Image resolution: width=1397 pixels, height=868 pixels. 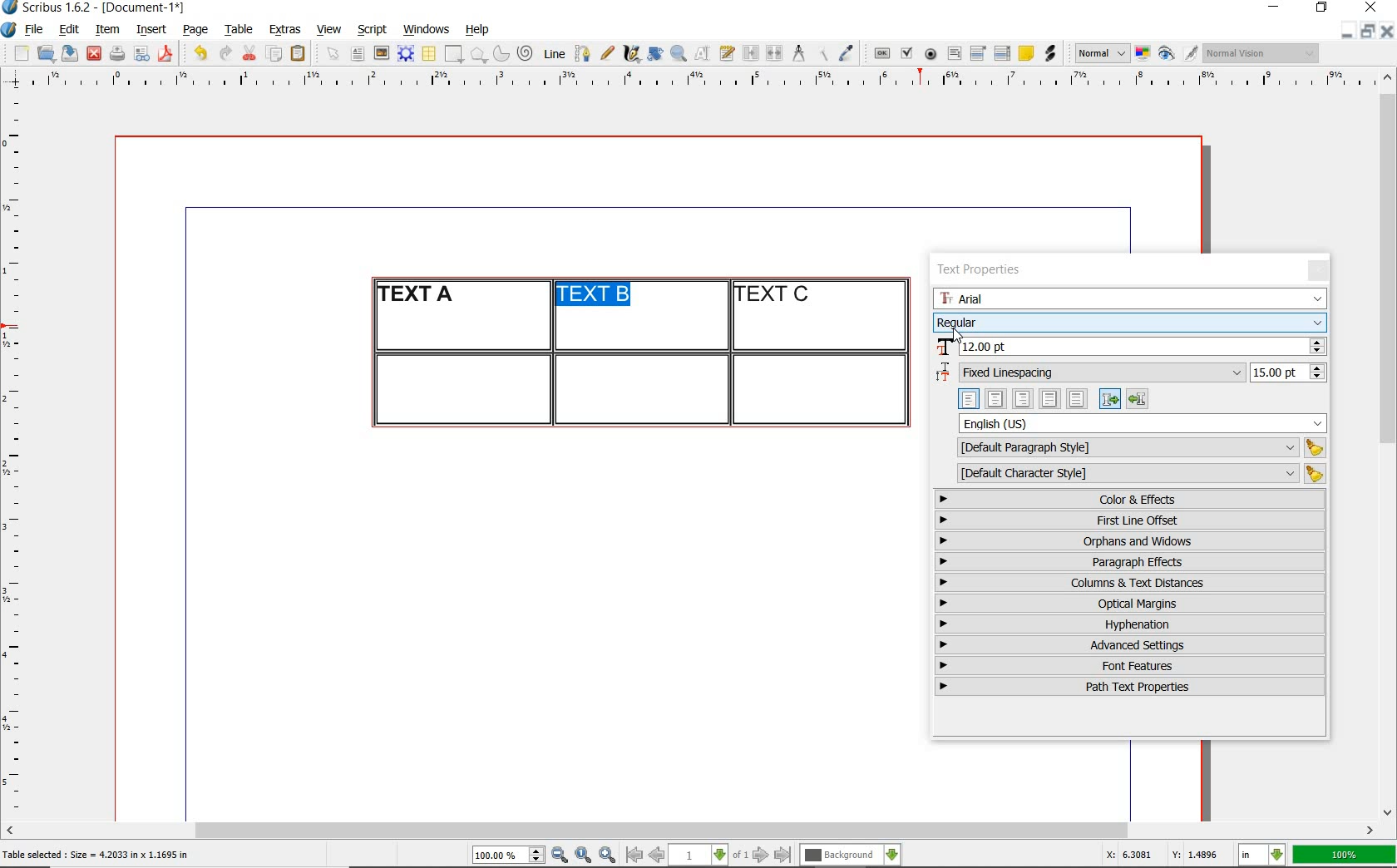 What do you see at coordinates (168, 53) in the screenshot?
I see `save as pdf` at bounding box center [168, 53].